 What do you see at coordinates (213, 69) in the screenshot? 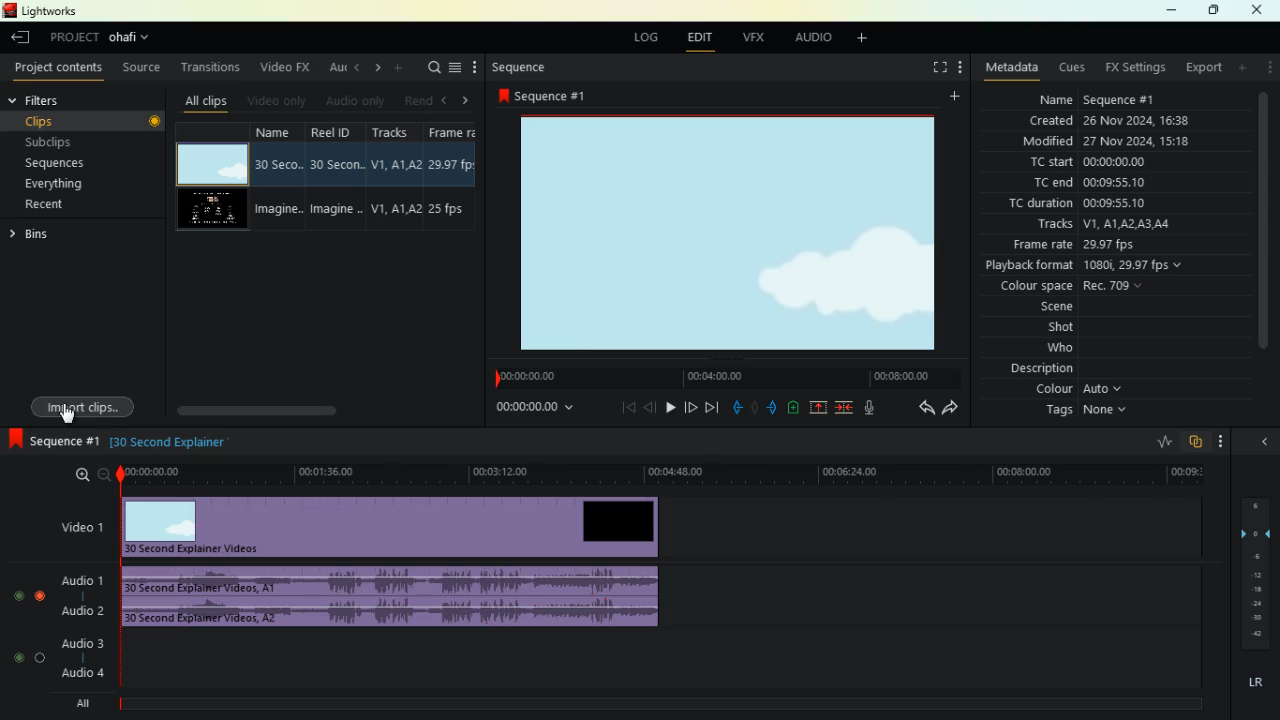
I see `transitions` at bounding box center [213, 69].